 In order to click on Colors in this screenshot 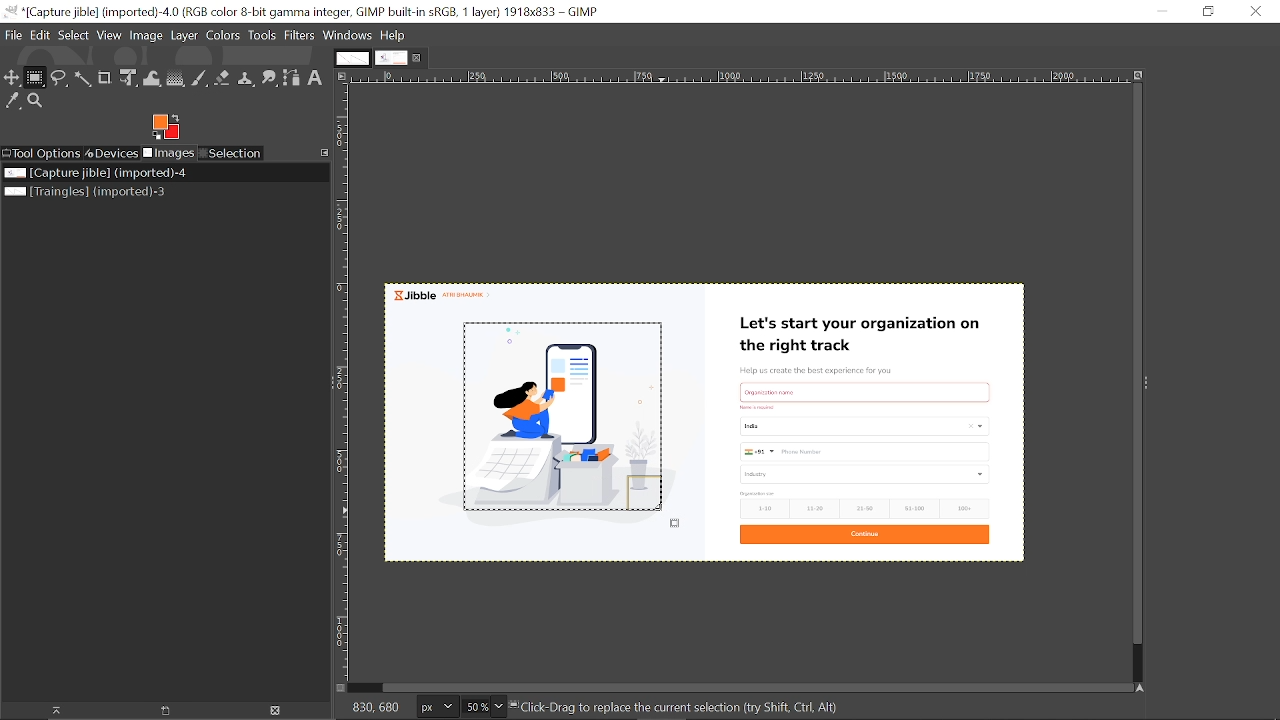, I will do `click(225, 38)`.